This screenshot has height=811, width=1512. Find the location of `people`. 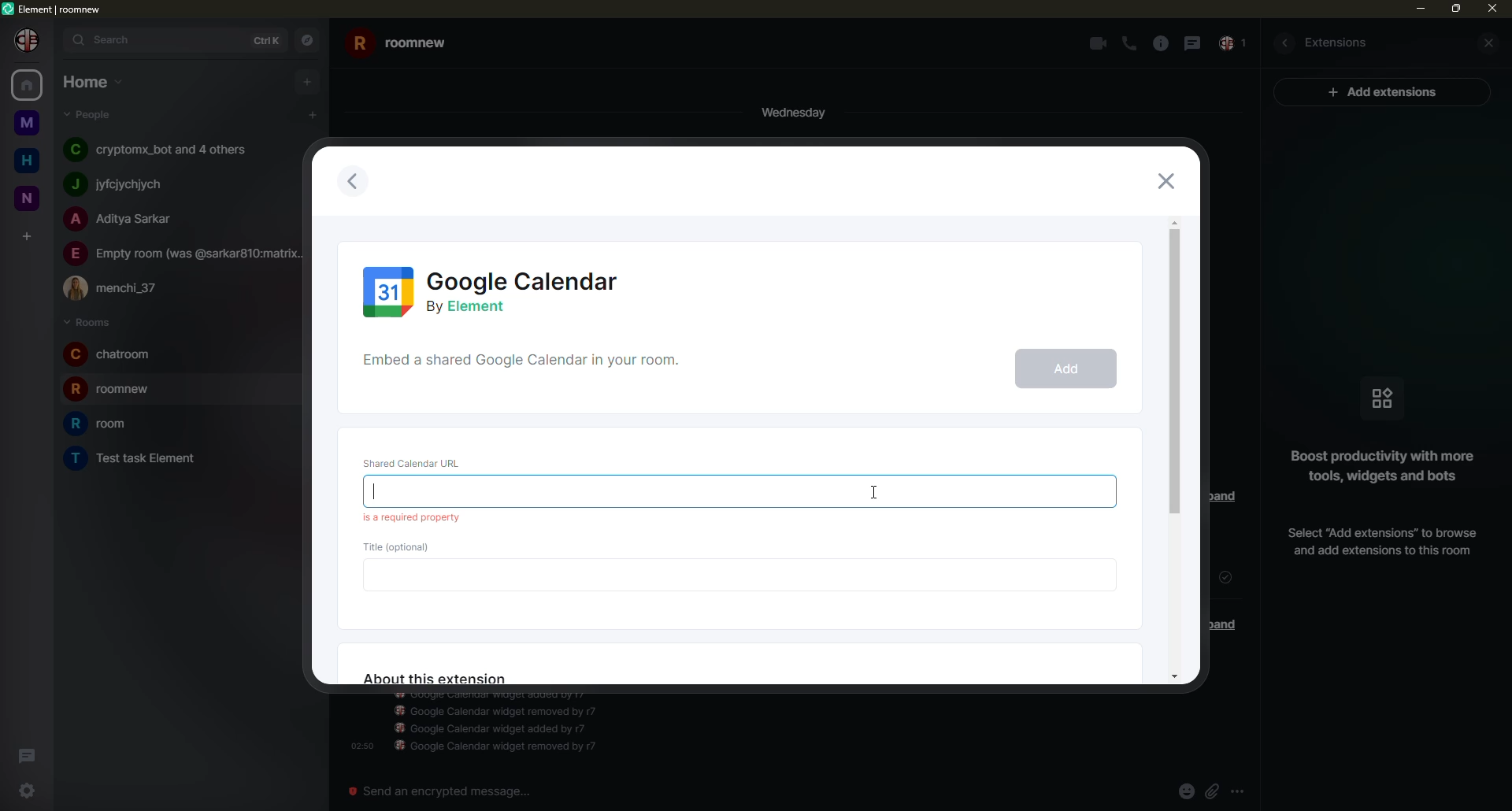

people is located at coordinates (125, 220).